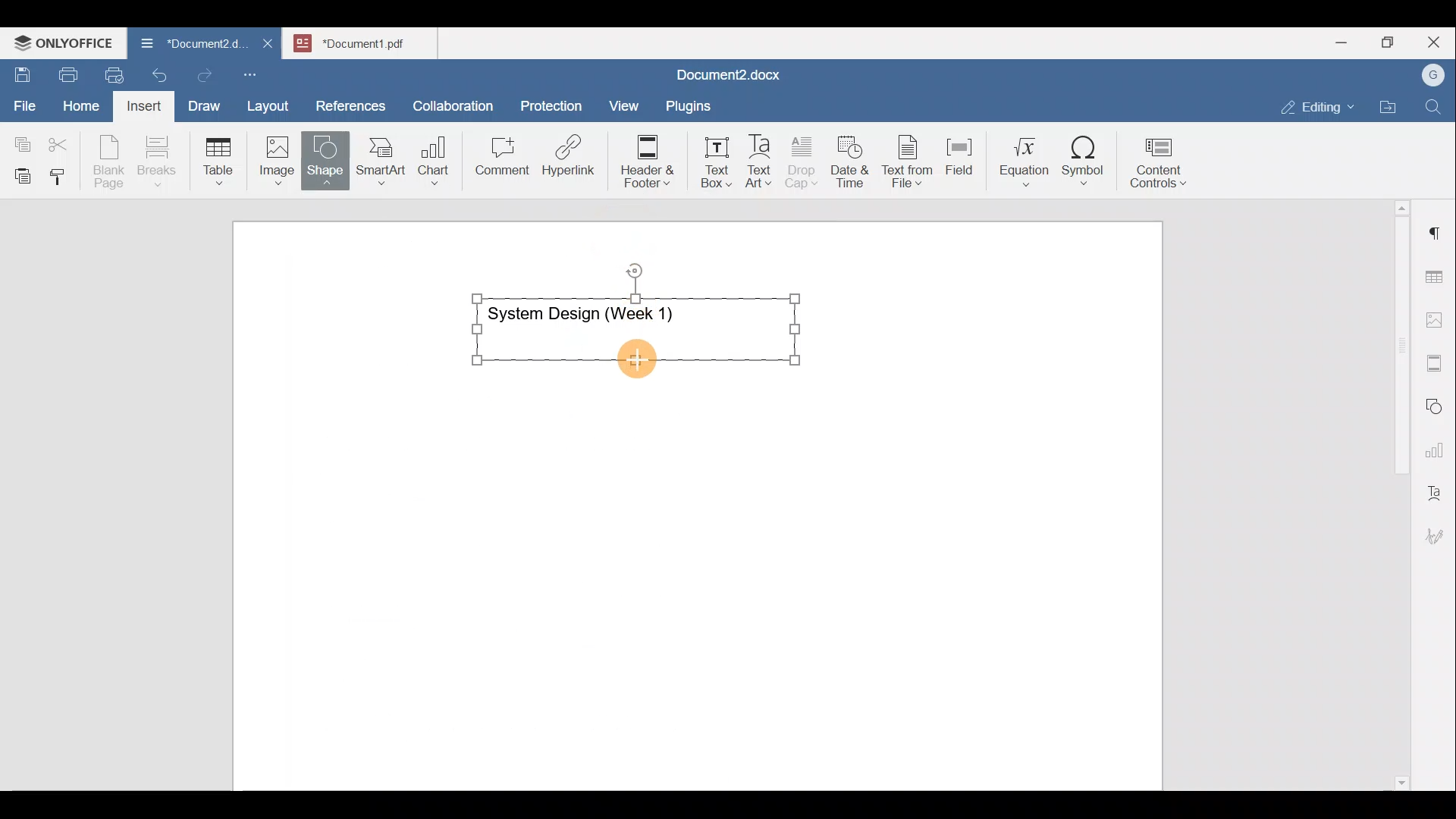 The height and width of the screenshot is (819, 1456). Describe the element at coordinates (959, 154) in the screenshot. I see `Field` at that location.